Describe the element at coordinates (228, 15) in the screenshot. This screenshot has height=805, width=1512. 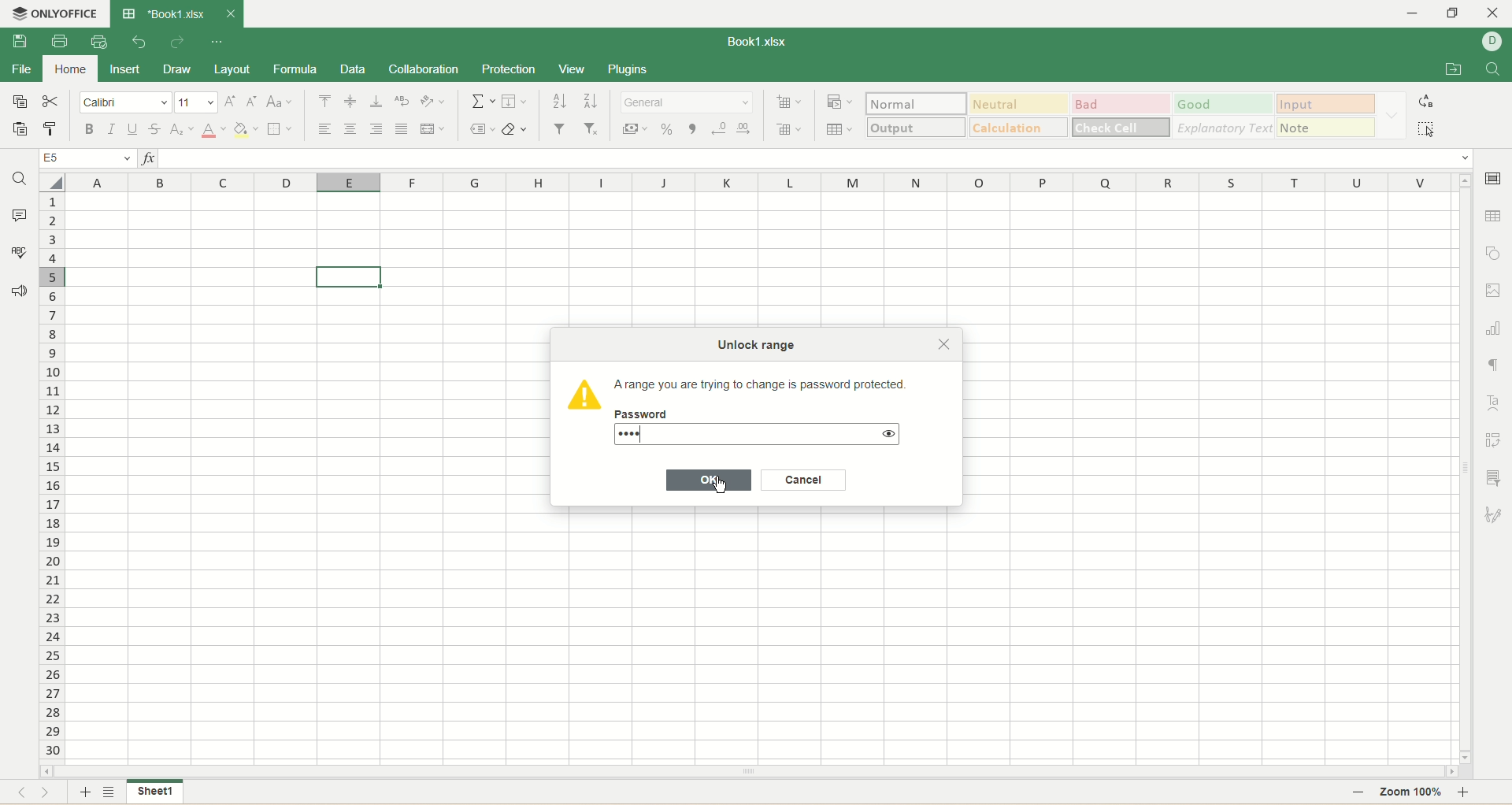
I see `close` at that location.